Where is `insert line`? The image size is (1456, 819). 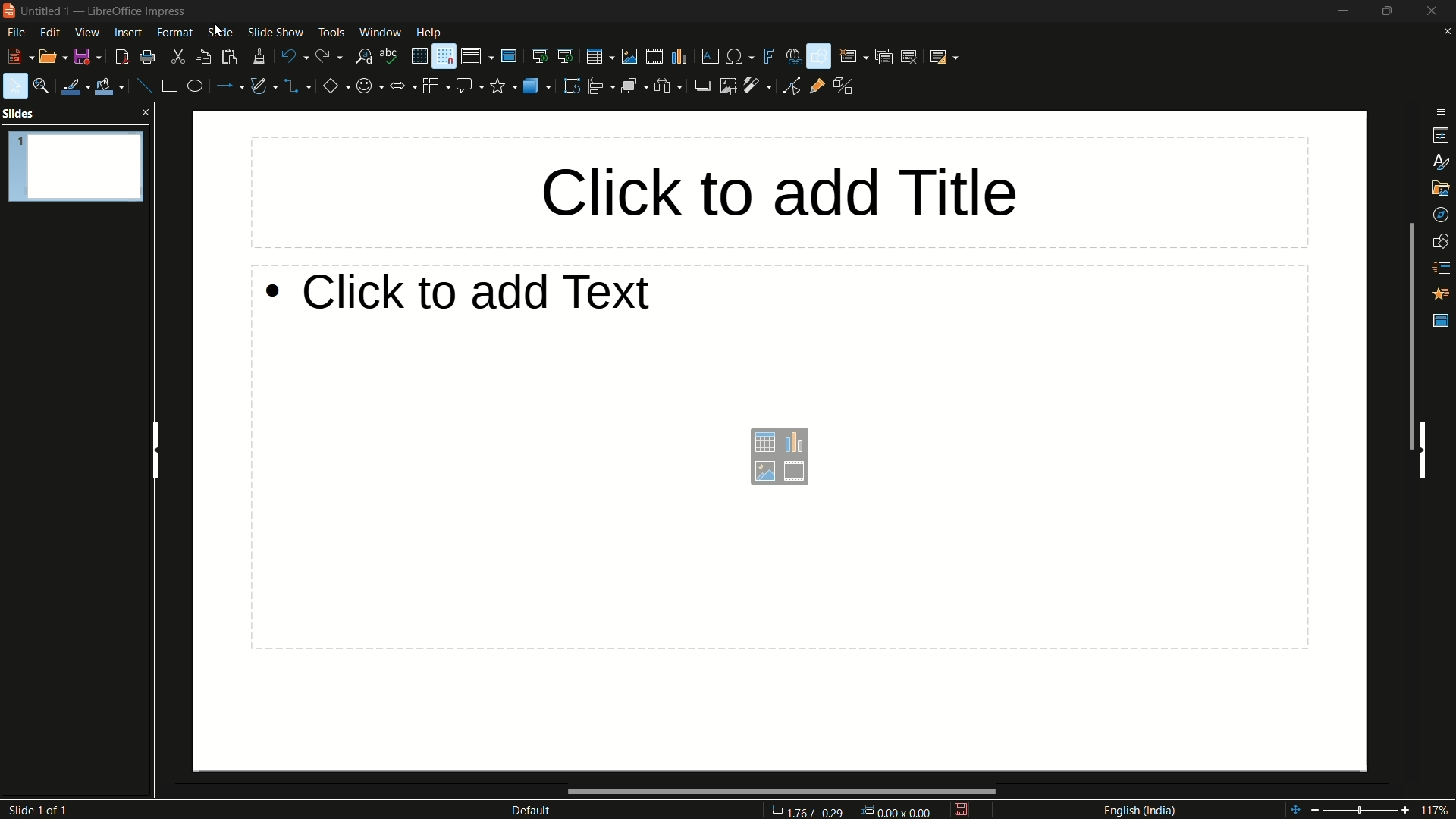
insert line is located at coordinates (143, 88).